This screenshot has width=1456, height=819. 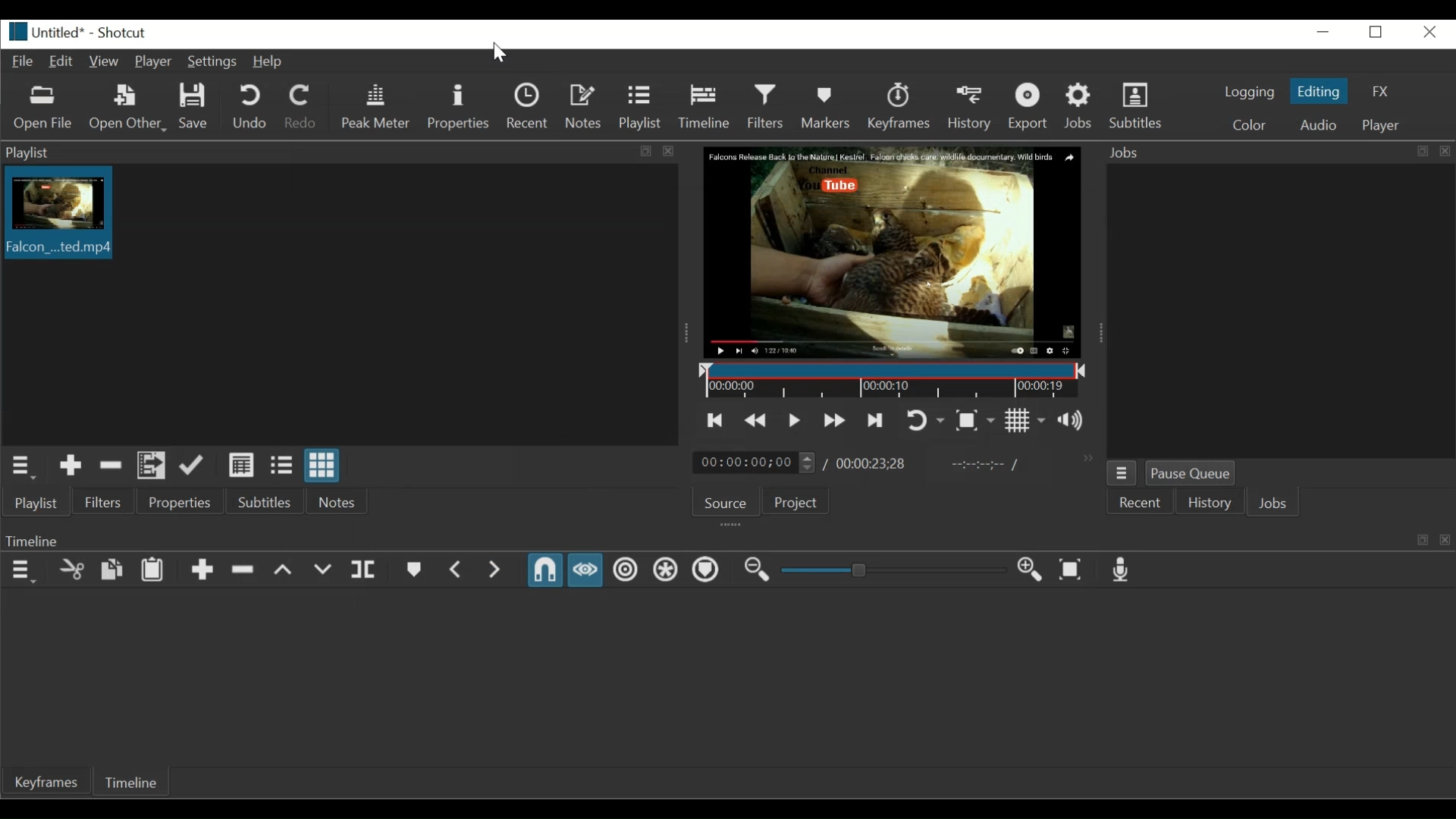 What do you see at coordinates (23, 571) in the screenshot?
I see `Timeline menu` at bounding box center [23, 571].